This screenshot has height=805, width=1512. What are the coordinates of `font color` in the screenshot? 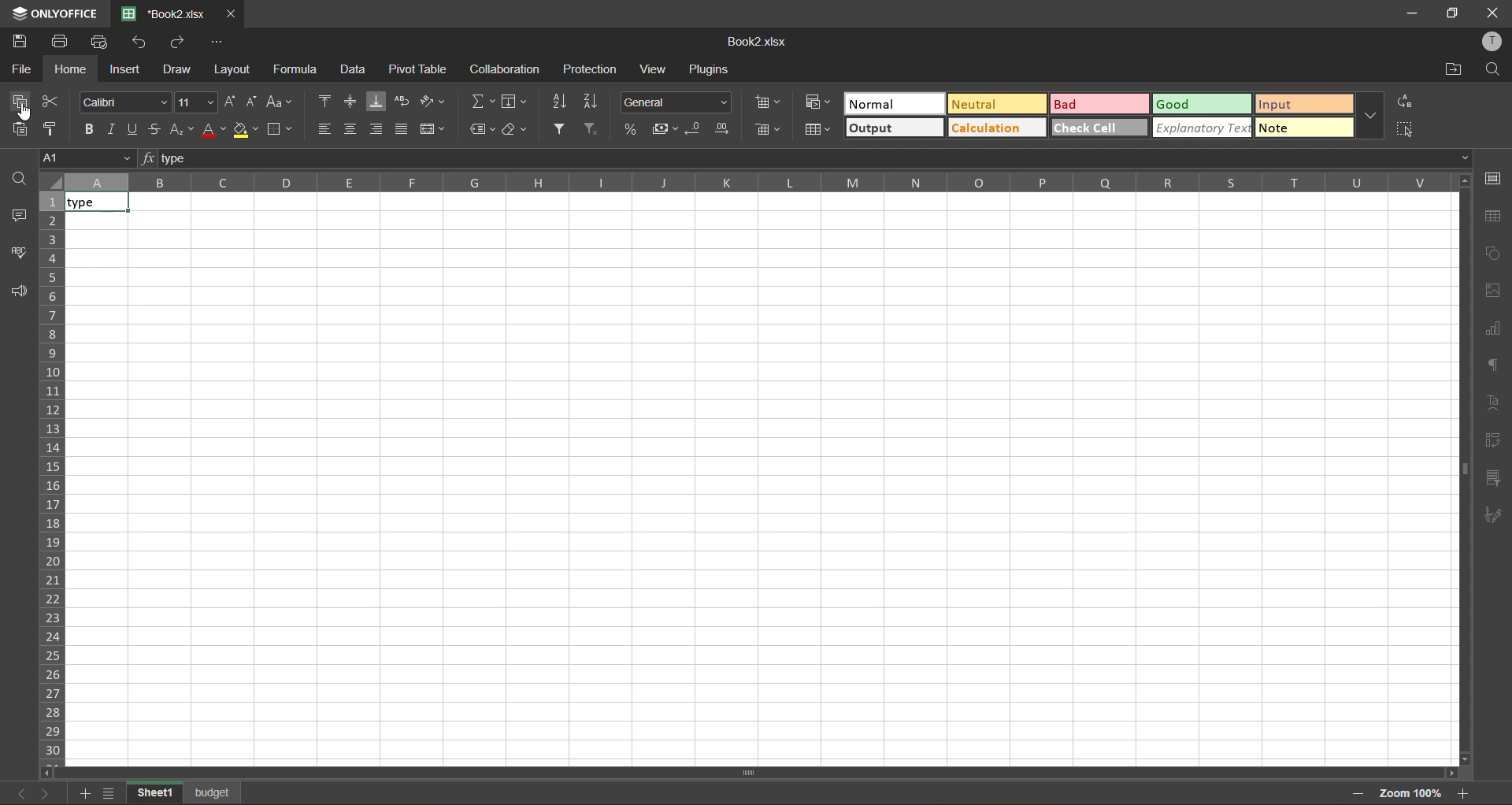 It's located at (214, 130).